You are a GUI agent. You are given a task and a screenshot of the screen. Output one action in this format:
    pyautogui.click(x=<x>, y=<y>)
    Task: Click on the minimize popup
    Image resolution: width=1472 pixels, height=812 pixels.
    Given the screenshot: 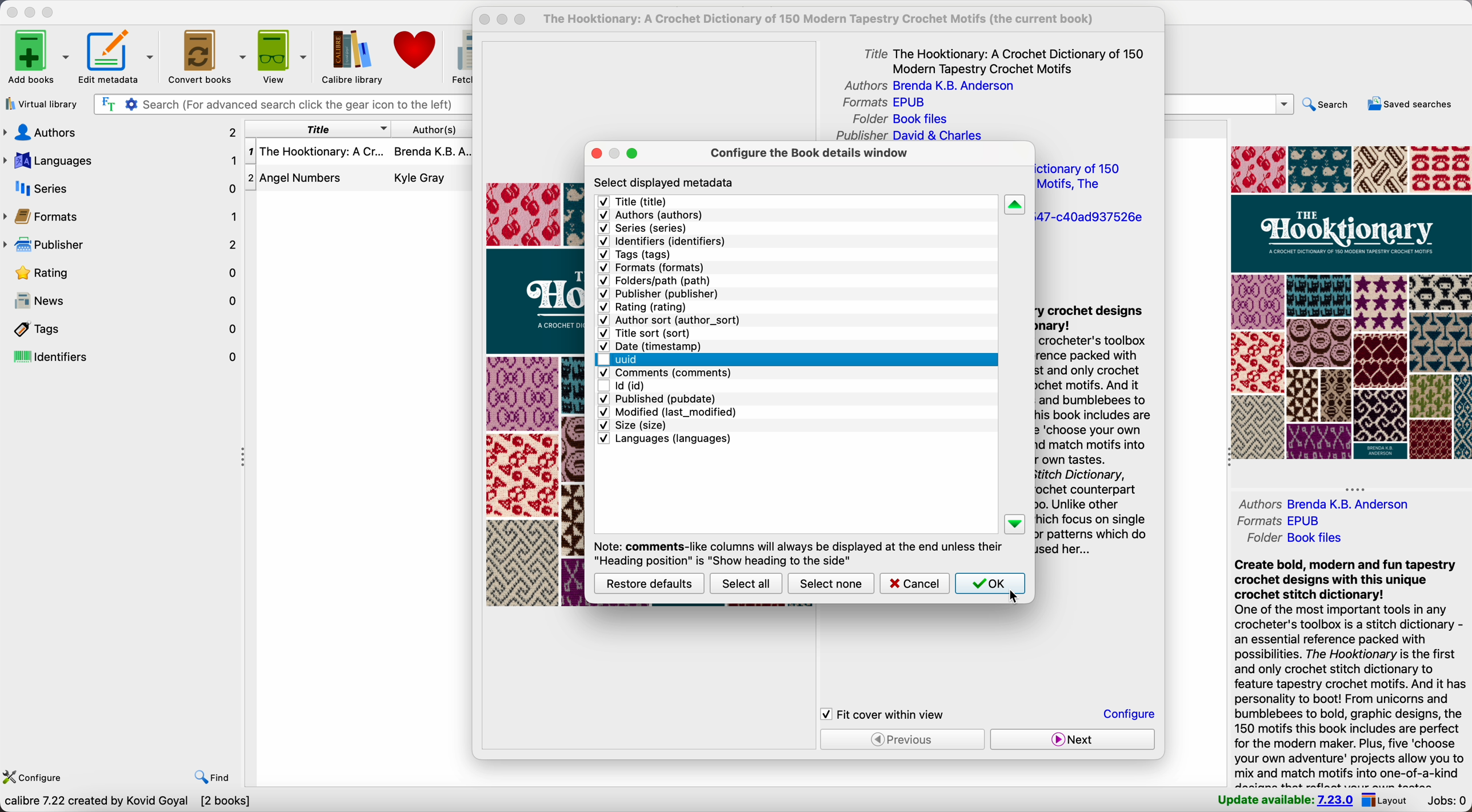 What is the action you would take?
    pyautogui.click(x=618, y=152)
    